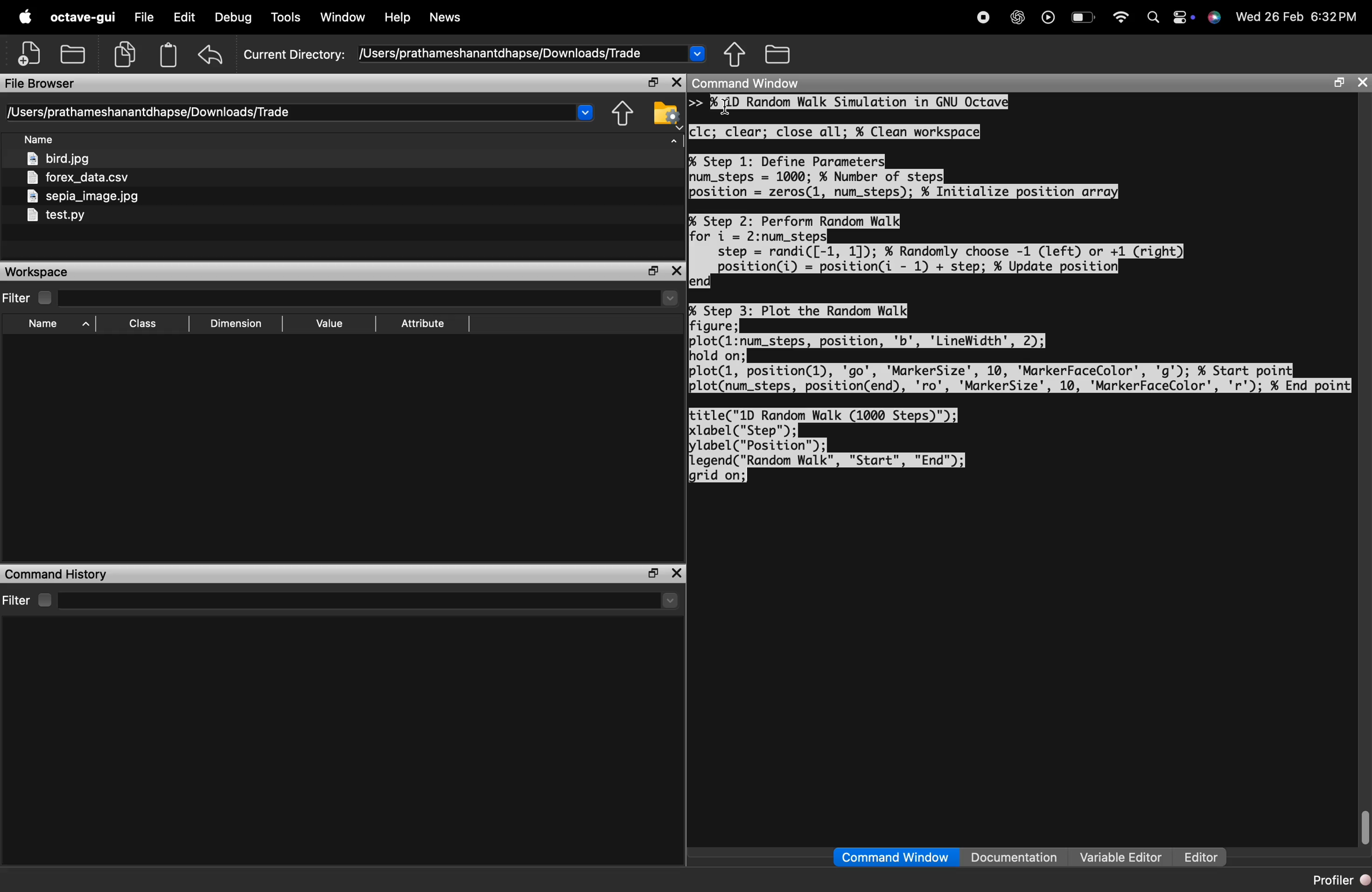  Describe the element at coordinates (74, 52) in the screenshot. I see `open an existing file in editor` at that location.